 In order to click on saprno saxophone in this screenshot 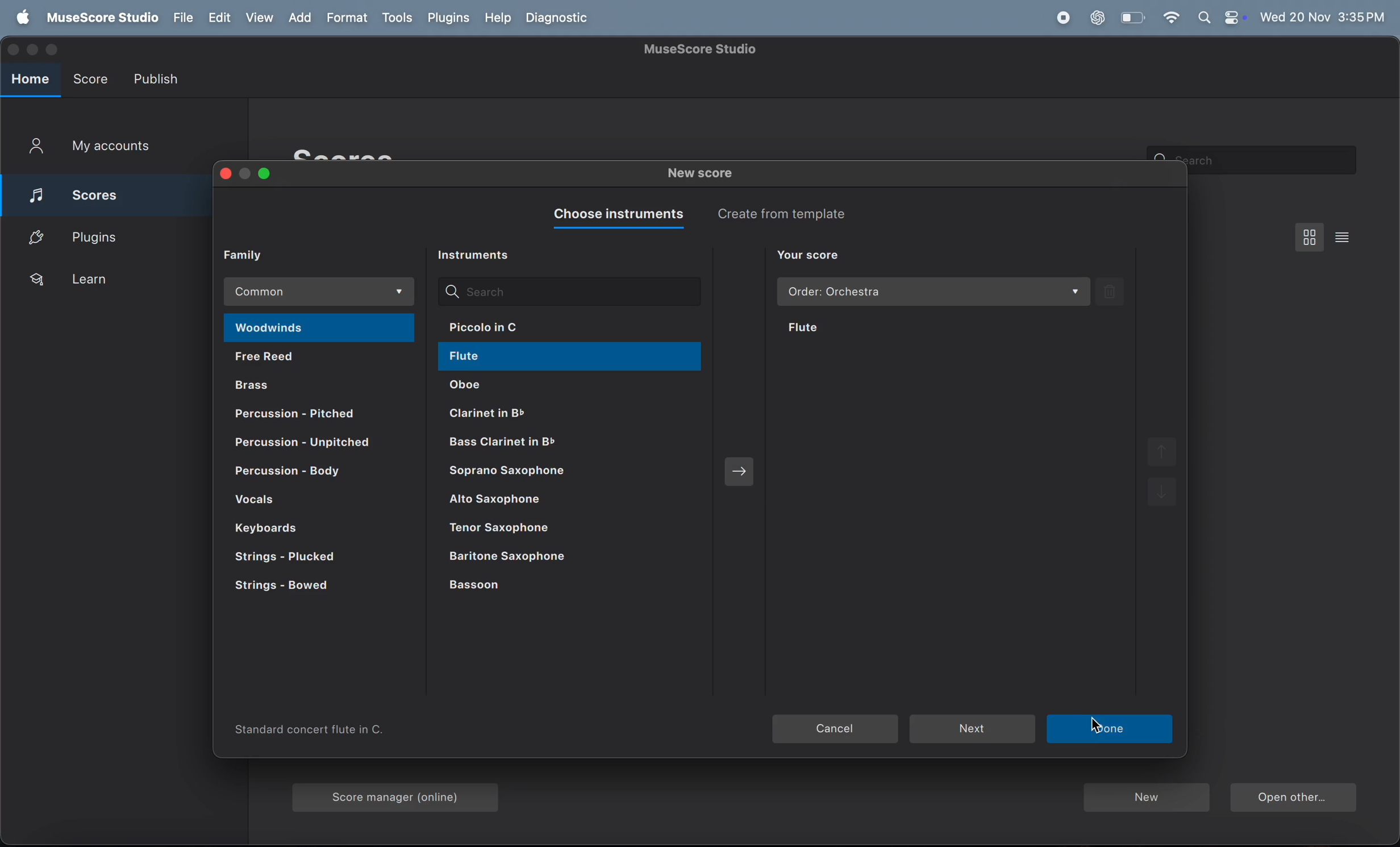, I will do `click(558, 474)`.